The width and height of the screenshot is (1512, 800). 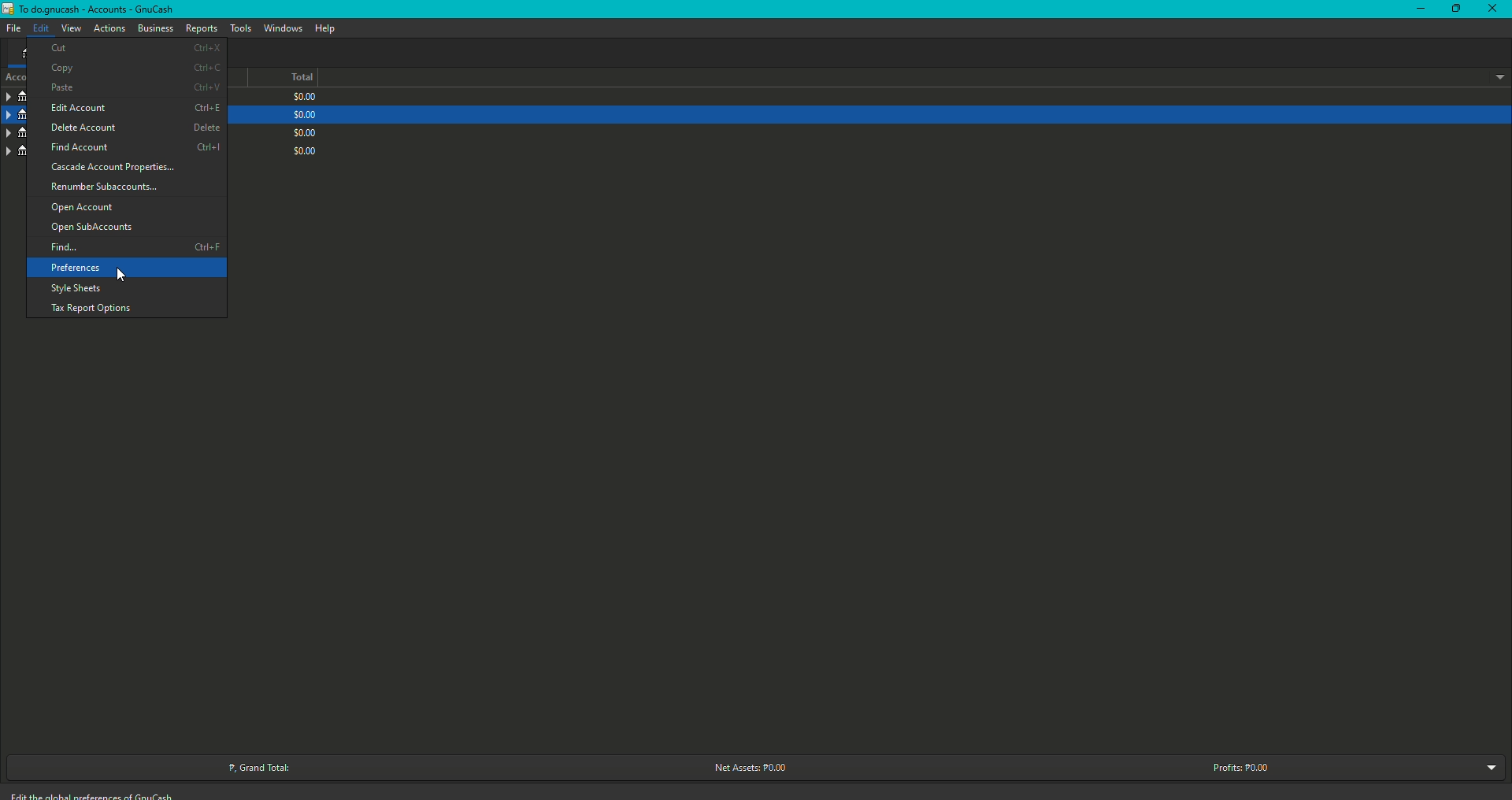 What do you see at coordinates (747, 768) in the screenshot?
I see `Net Assets` at bounding box center [747, 768].